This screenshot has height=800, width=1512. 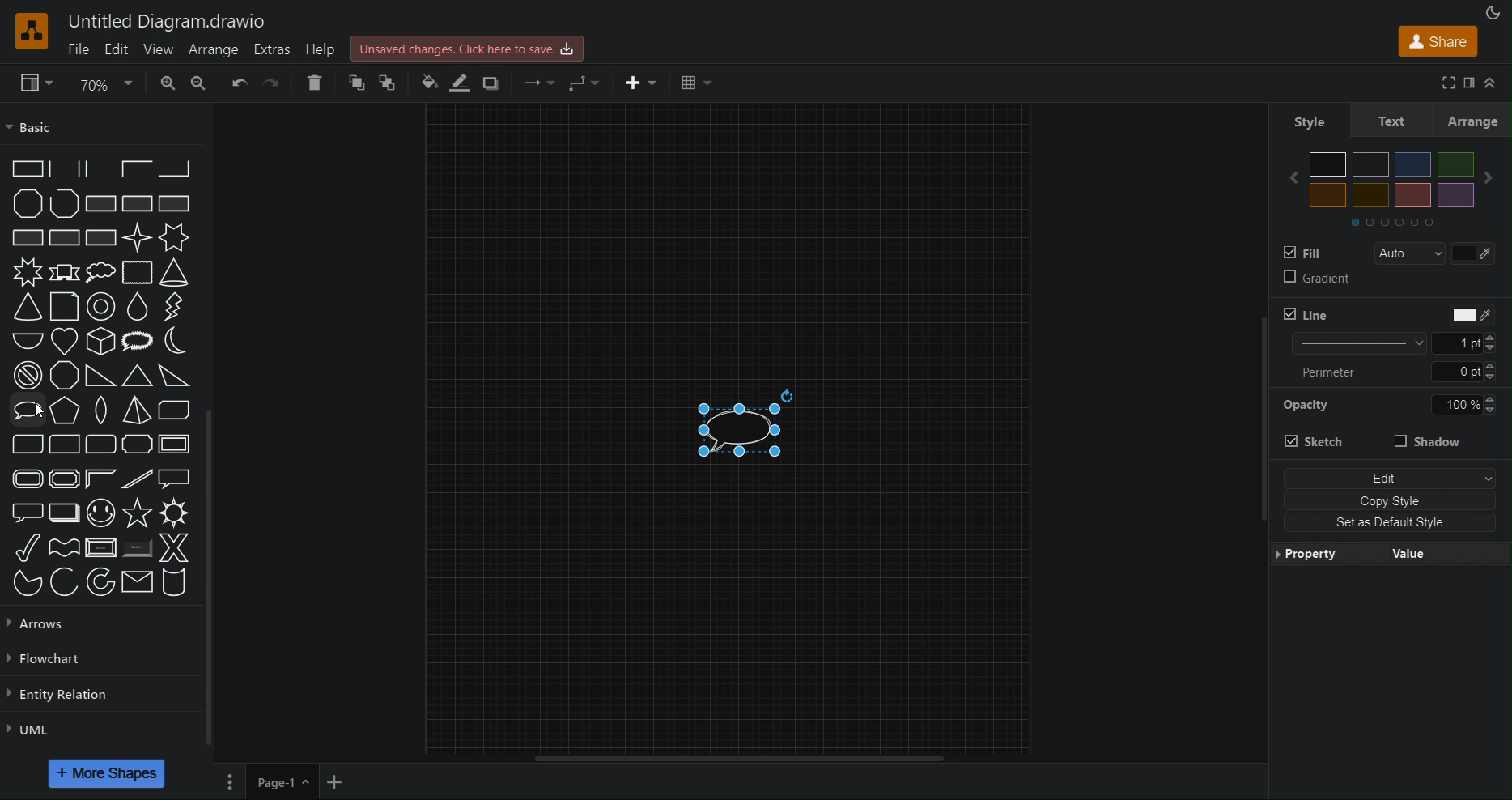 I want to click on Orthogonal Triangle, so click(x=100, y=375).